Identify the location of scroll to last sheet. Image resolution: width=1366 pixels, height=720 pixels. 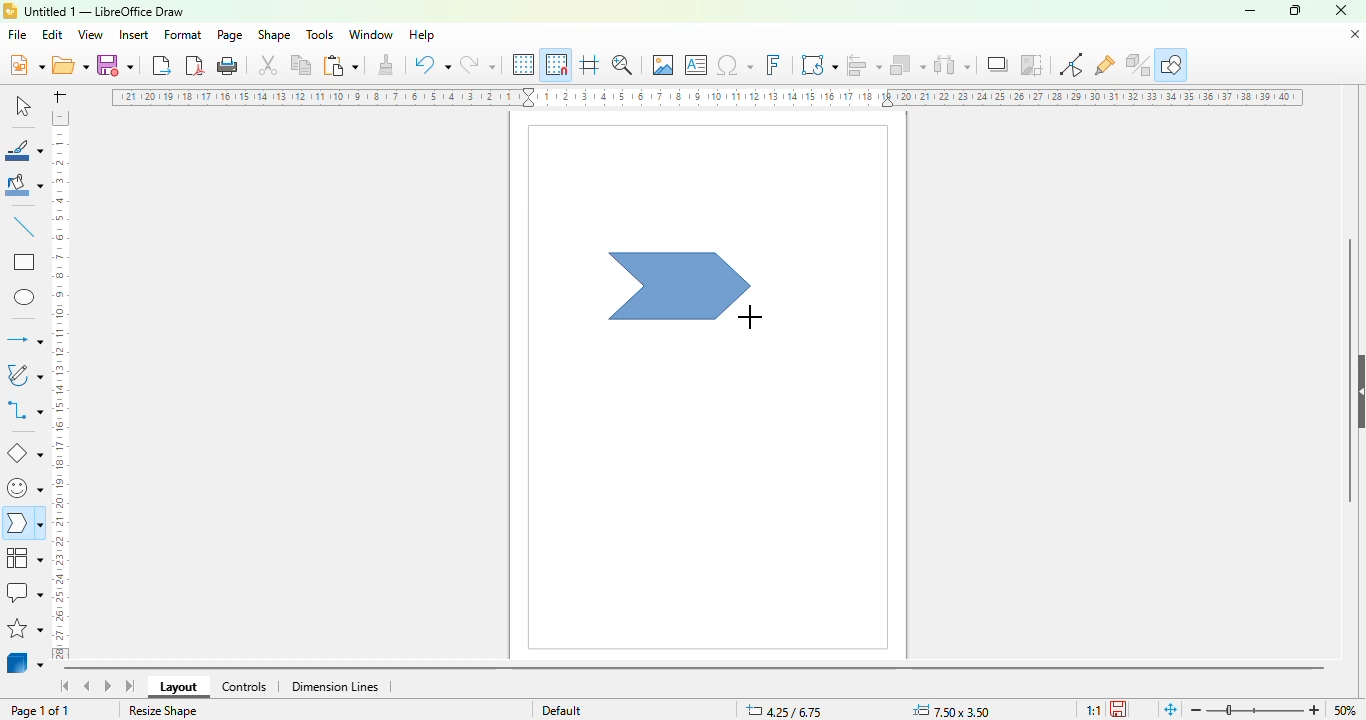
(131, 686).